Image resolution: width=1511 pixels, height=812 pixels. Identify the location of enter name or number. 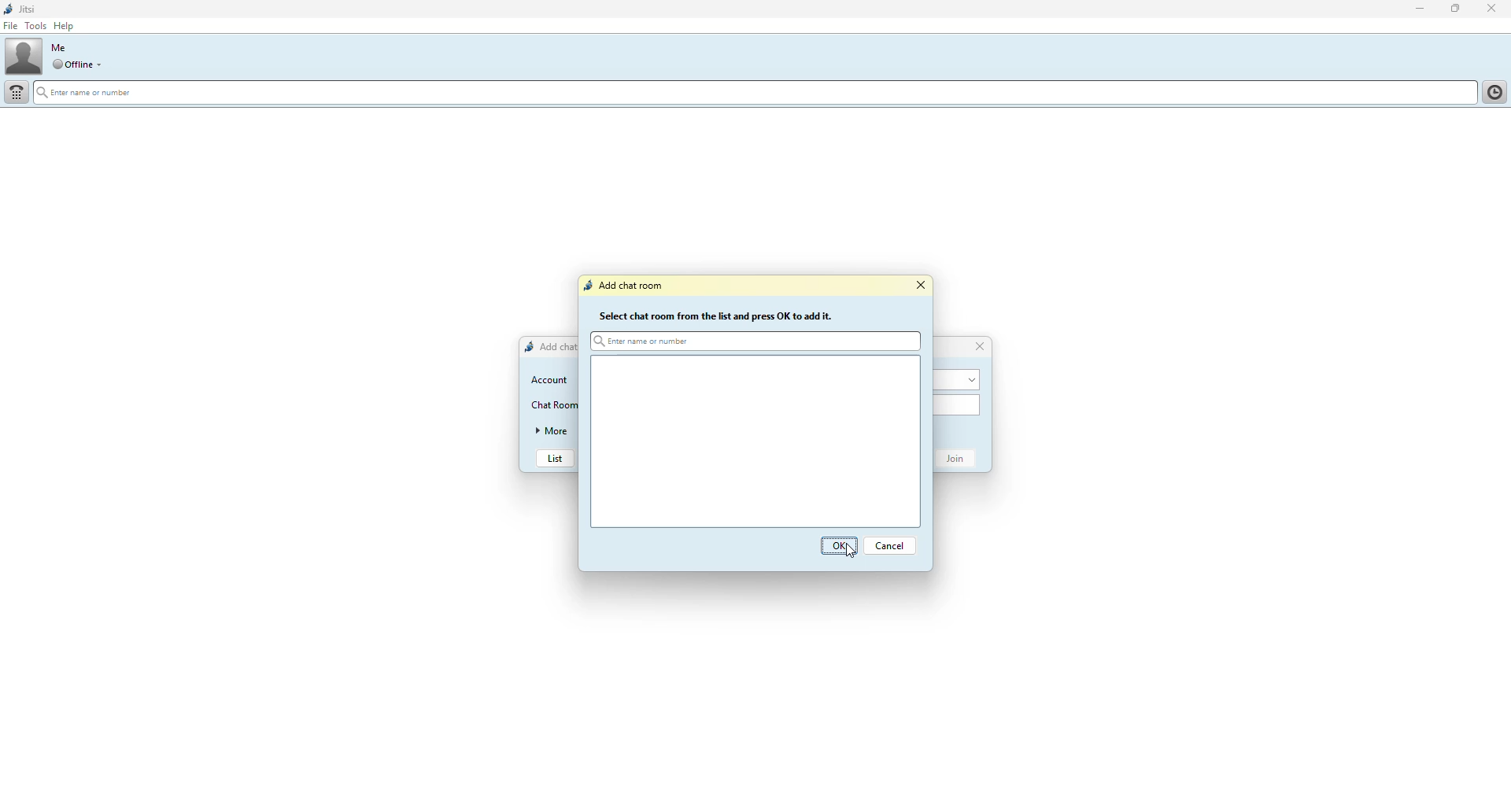
(106, 93).